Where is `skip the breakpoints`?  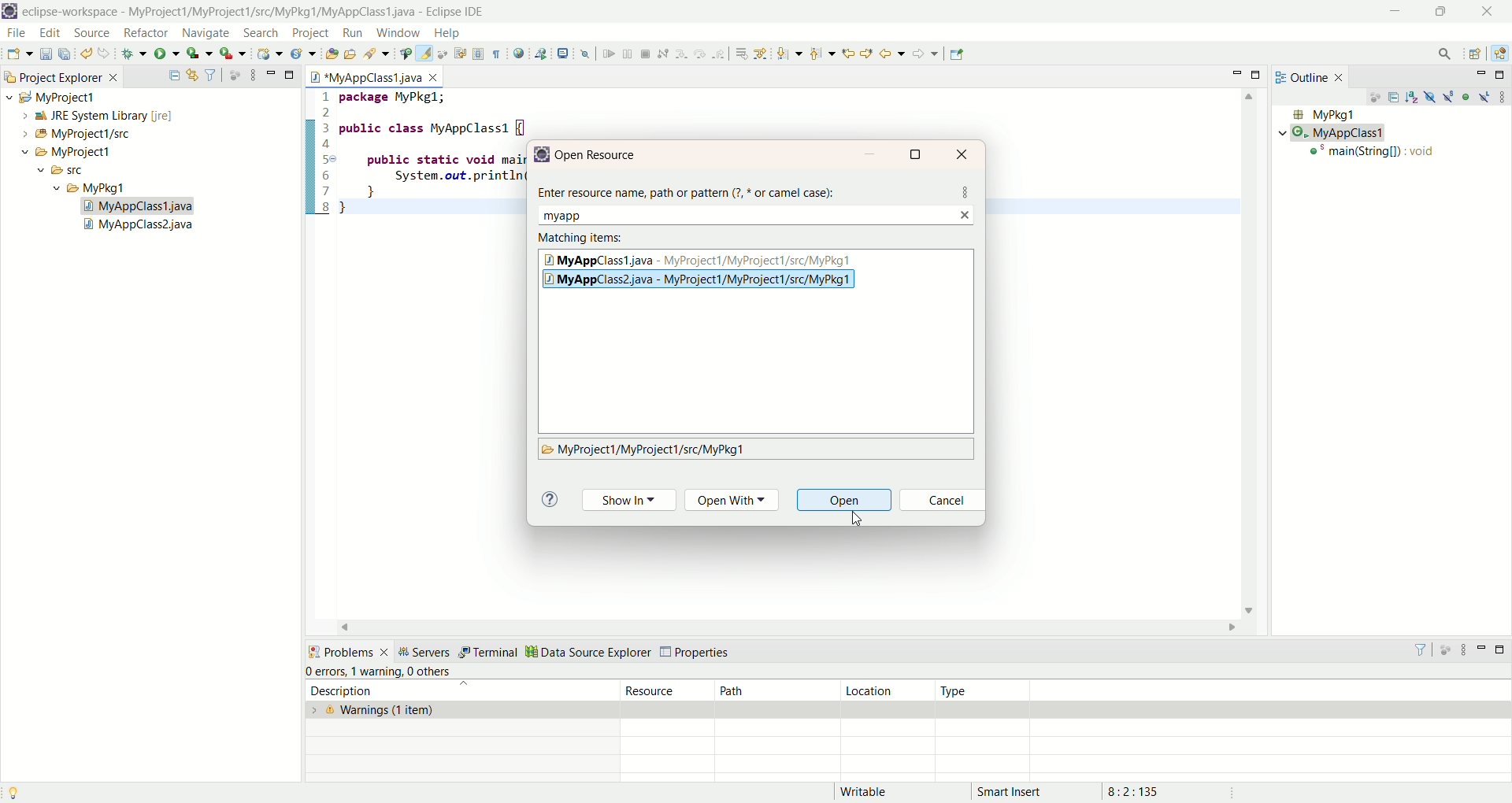
skip the breakpoints is located at coordinates (586, 55).